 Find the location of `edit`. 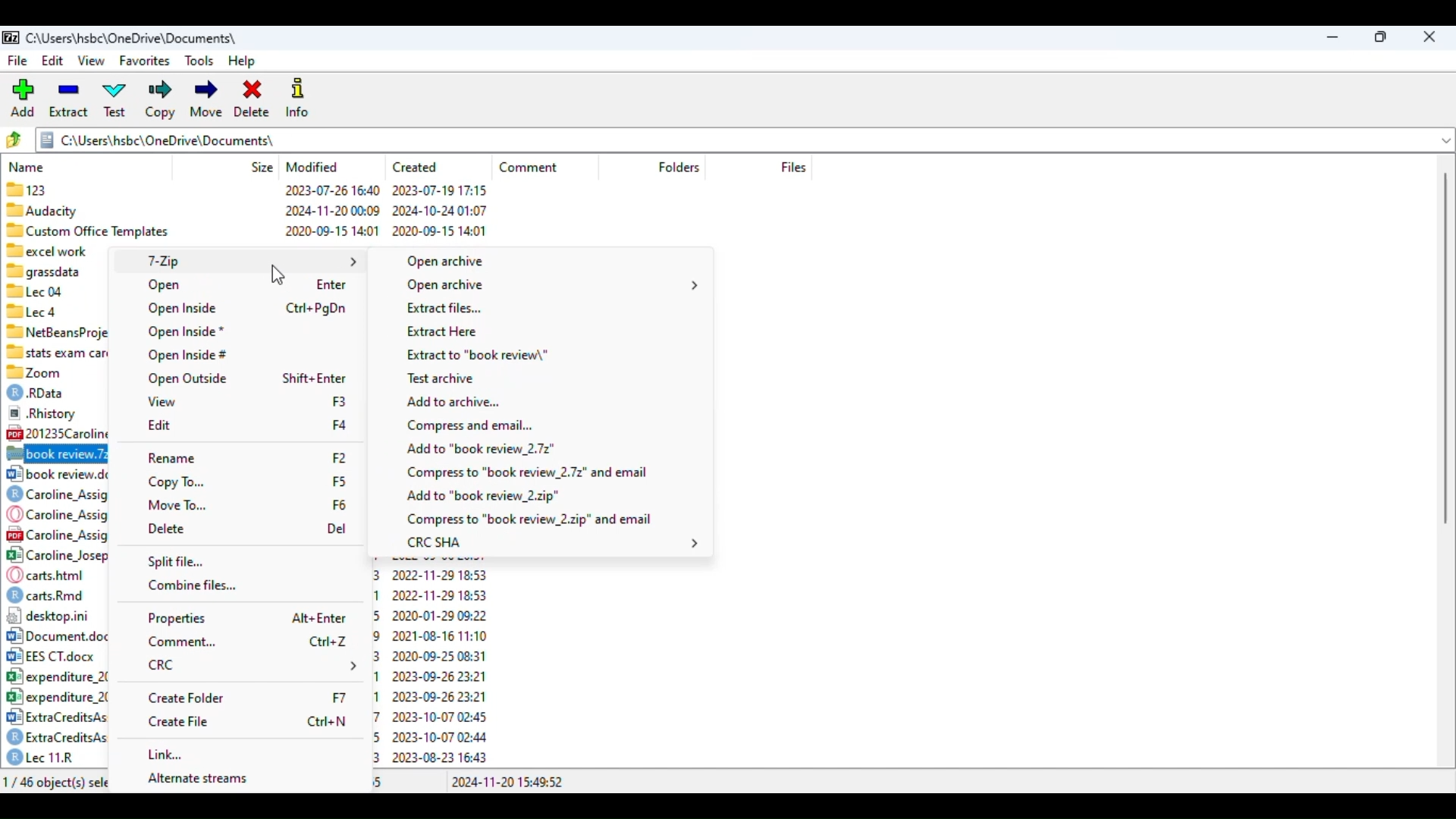

edit is located at coordinates (160, 425).